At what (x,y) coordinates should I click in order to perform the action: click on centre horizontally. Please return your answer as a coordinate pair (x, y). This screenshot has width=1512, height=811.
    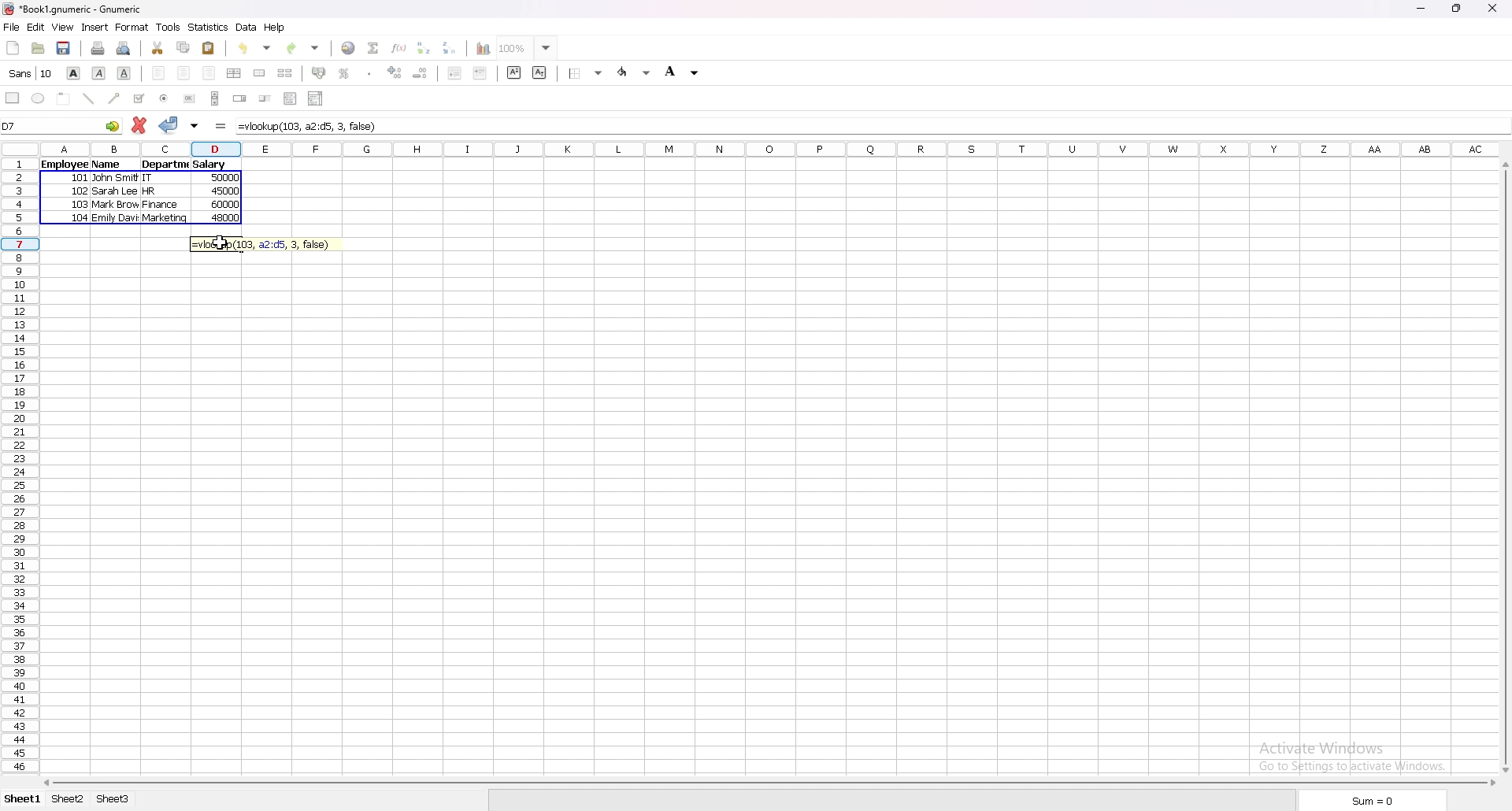
    Looking at the image, I should click on (235, 73).